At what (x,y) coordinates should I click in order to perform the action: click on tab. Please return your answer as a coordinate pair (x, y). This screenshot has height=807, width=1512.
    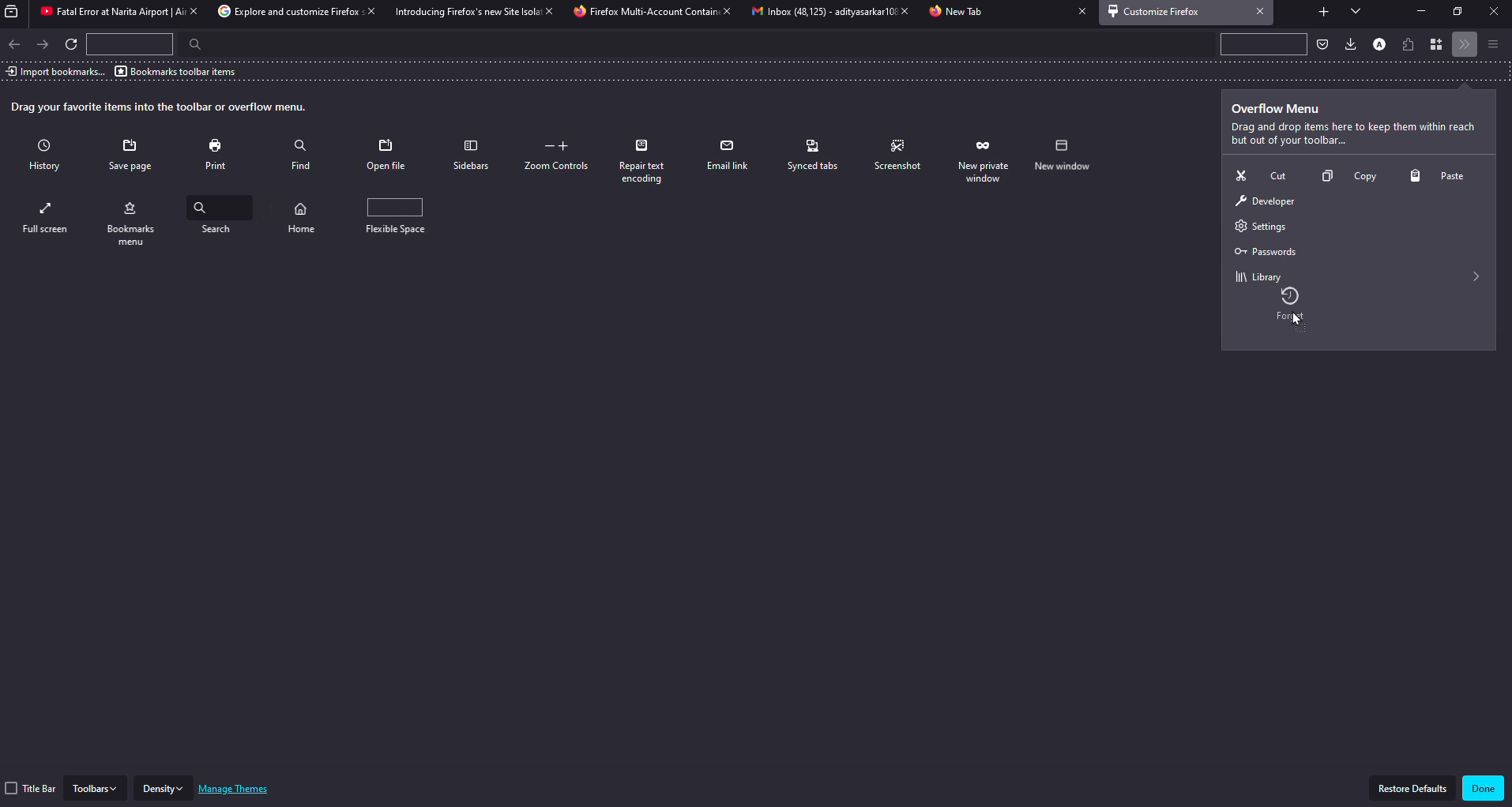
    Looking at the image, I should click on (814, 13).